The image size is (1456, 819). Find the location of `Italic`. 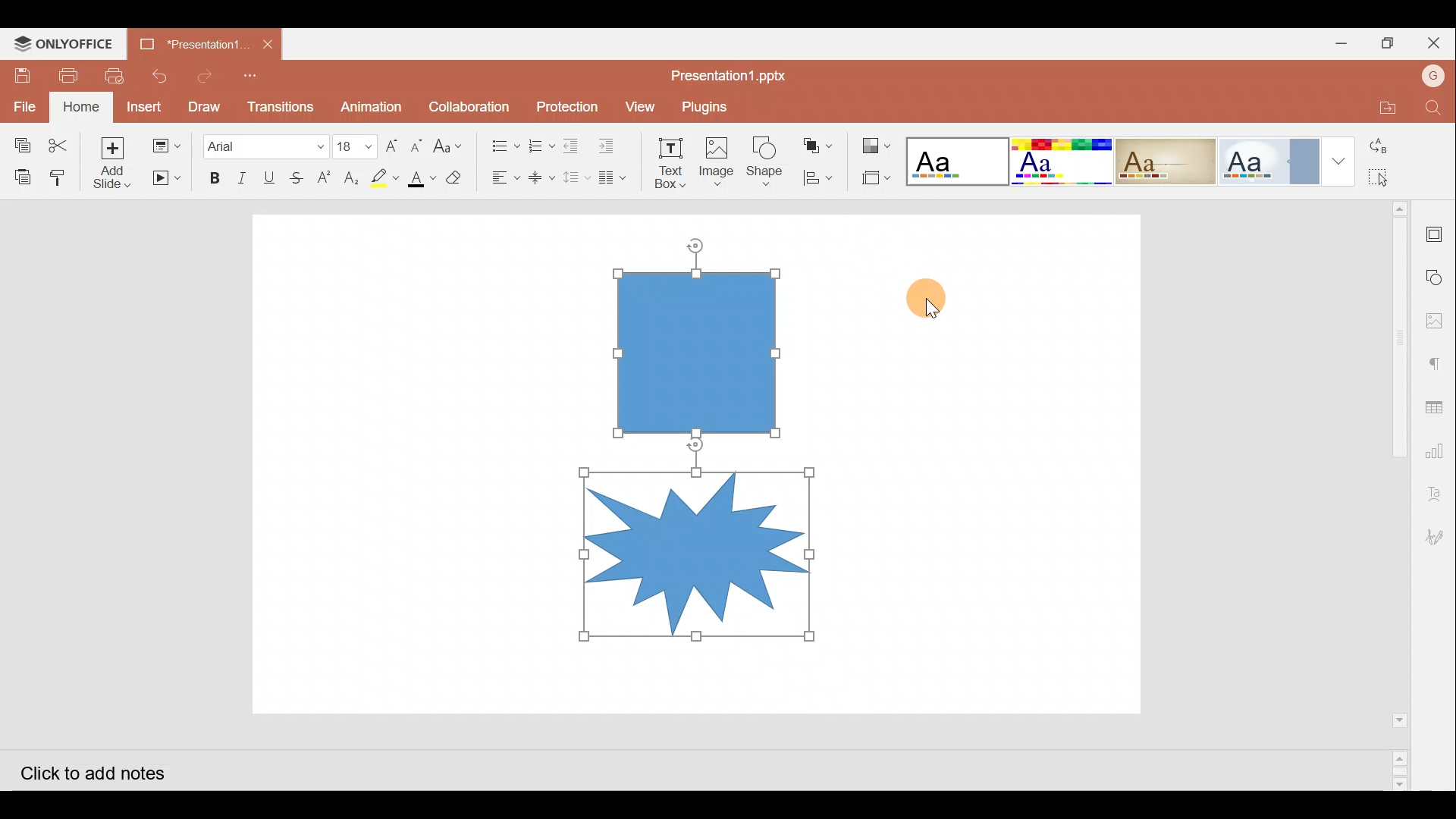

Italic is located at coordinates (242, 174).